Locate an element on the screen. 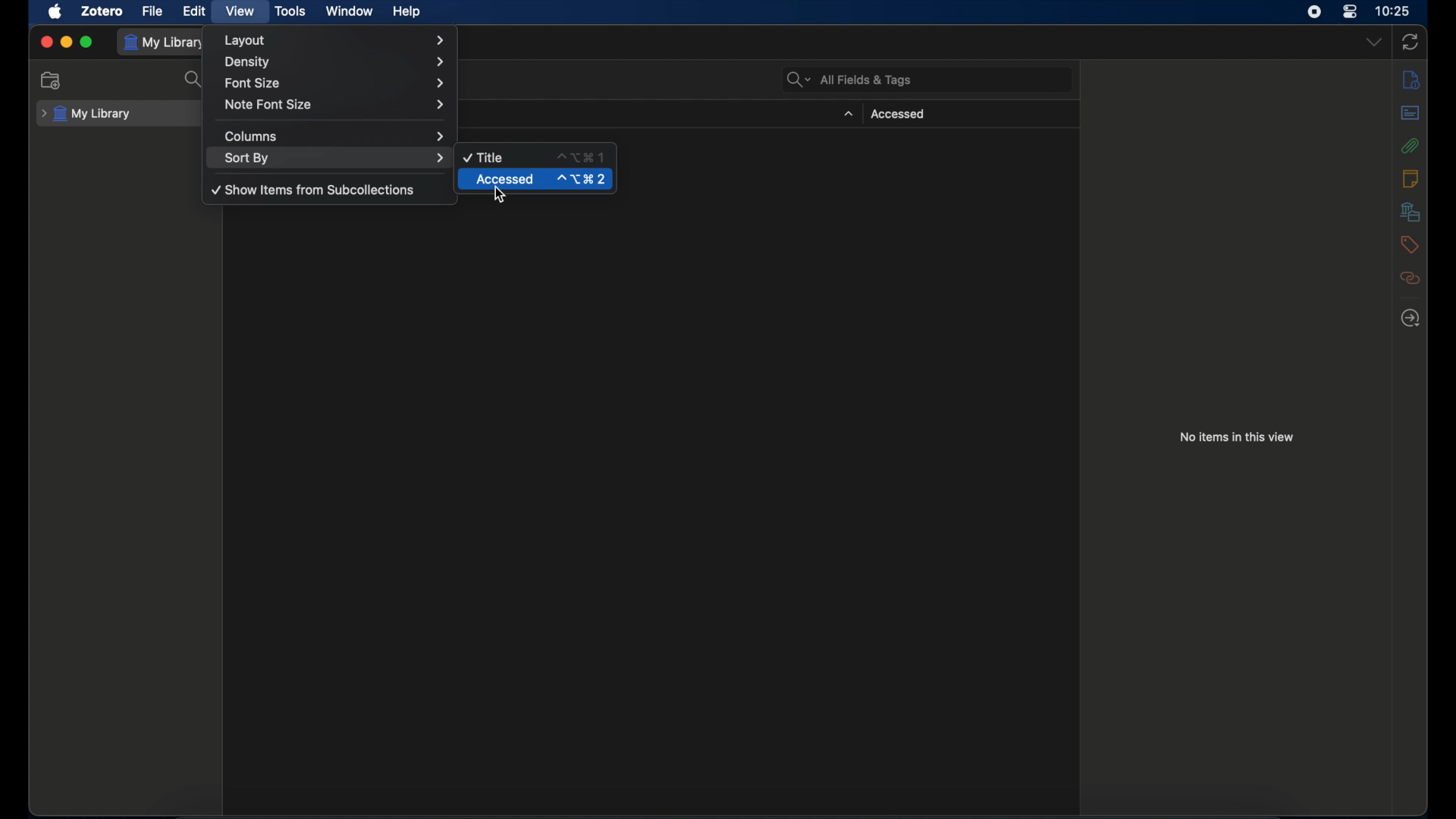 The height and width of the screenshot is (819, 1456). dropdown is located at coordinates (847, 114).